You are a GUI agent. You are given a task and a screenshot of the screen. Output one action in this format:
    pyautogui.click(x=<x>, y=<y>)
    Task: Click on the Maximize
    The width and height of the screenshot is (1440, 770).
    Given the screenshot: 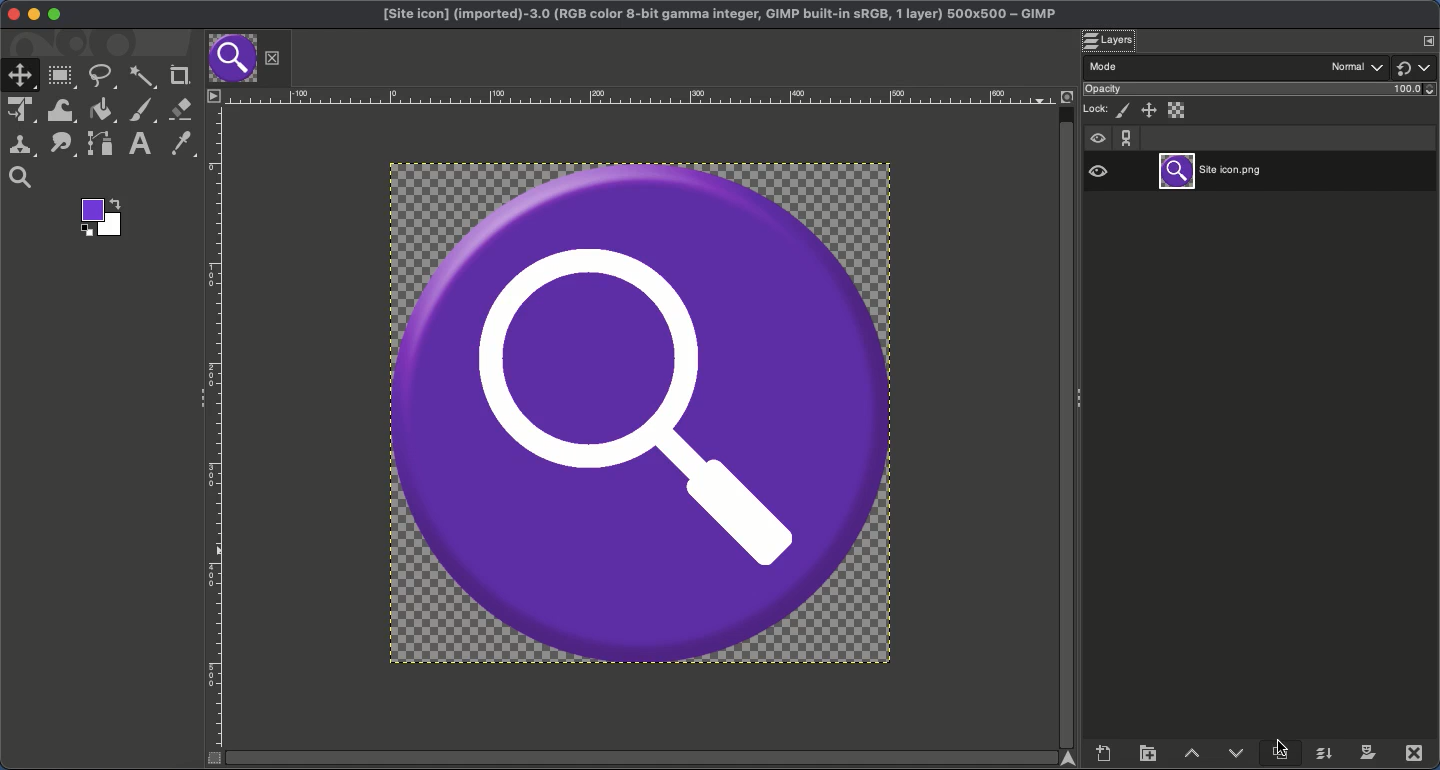 What is the action you would take?
    pyautogui.click(x=55, y=15)
    